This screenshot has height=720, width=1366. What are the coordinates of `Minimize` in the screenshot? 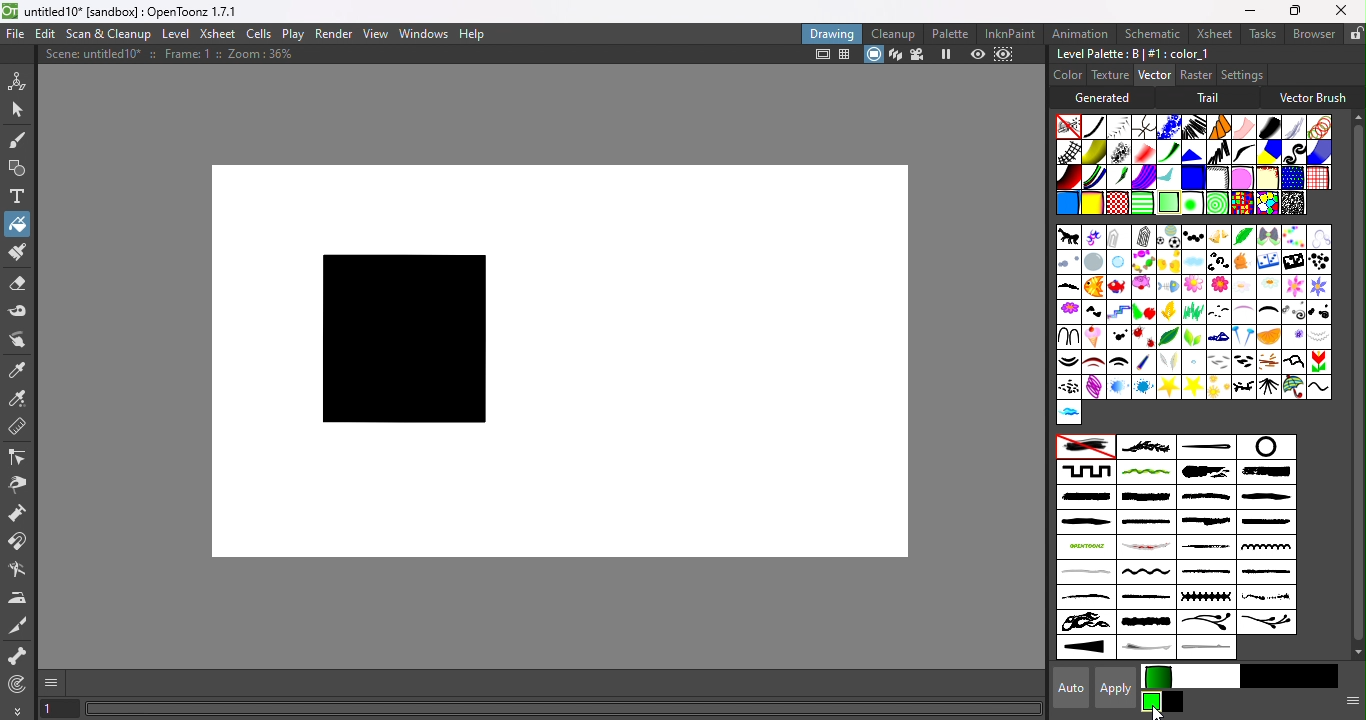 It's located at (1250, 10).